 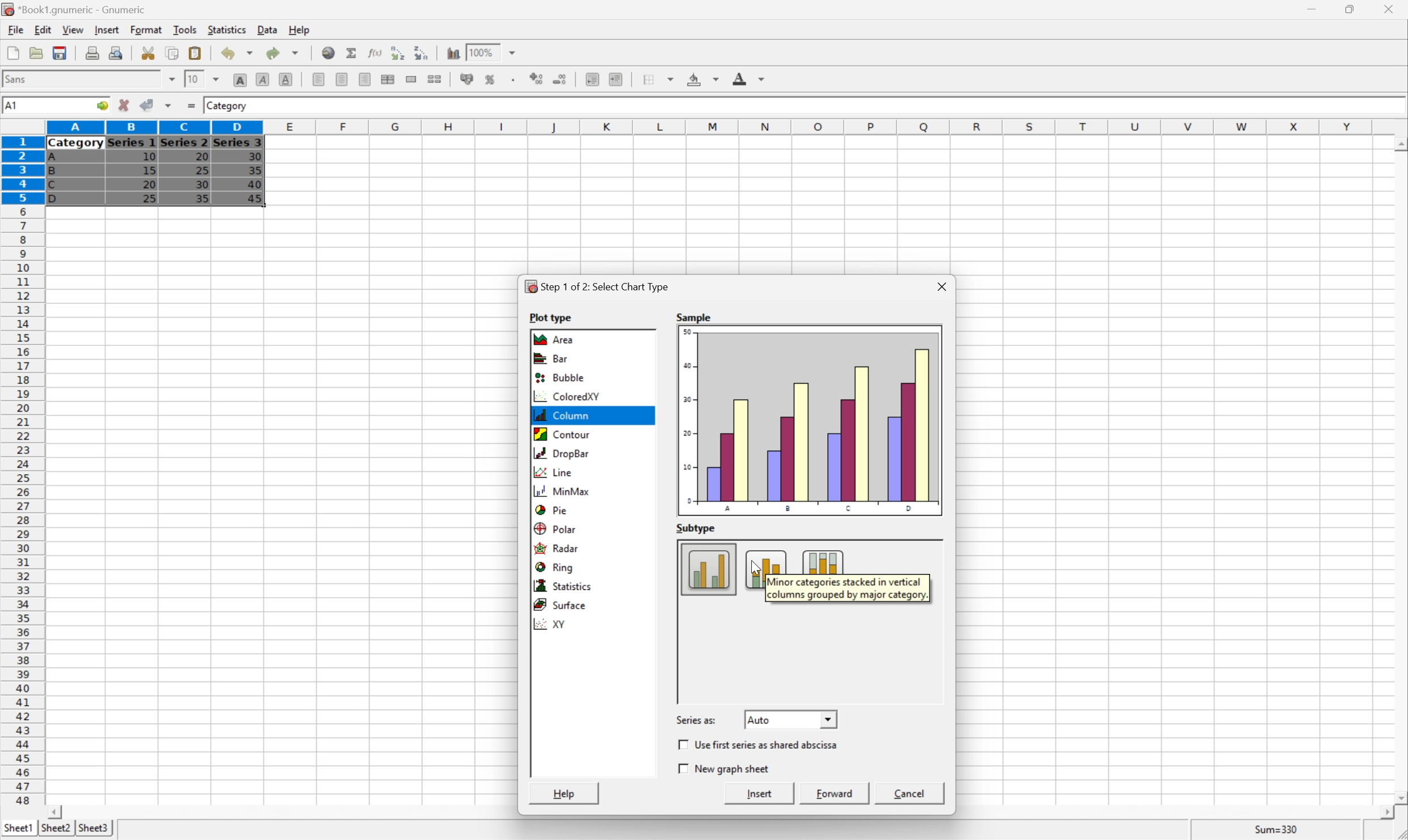 I want to click on Column, so click(x=563, y=415).